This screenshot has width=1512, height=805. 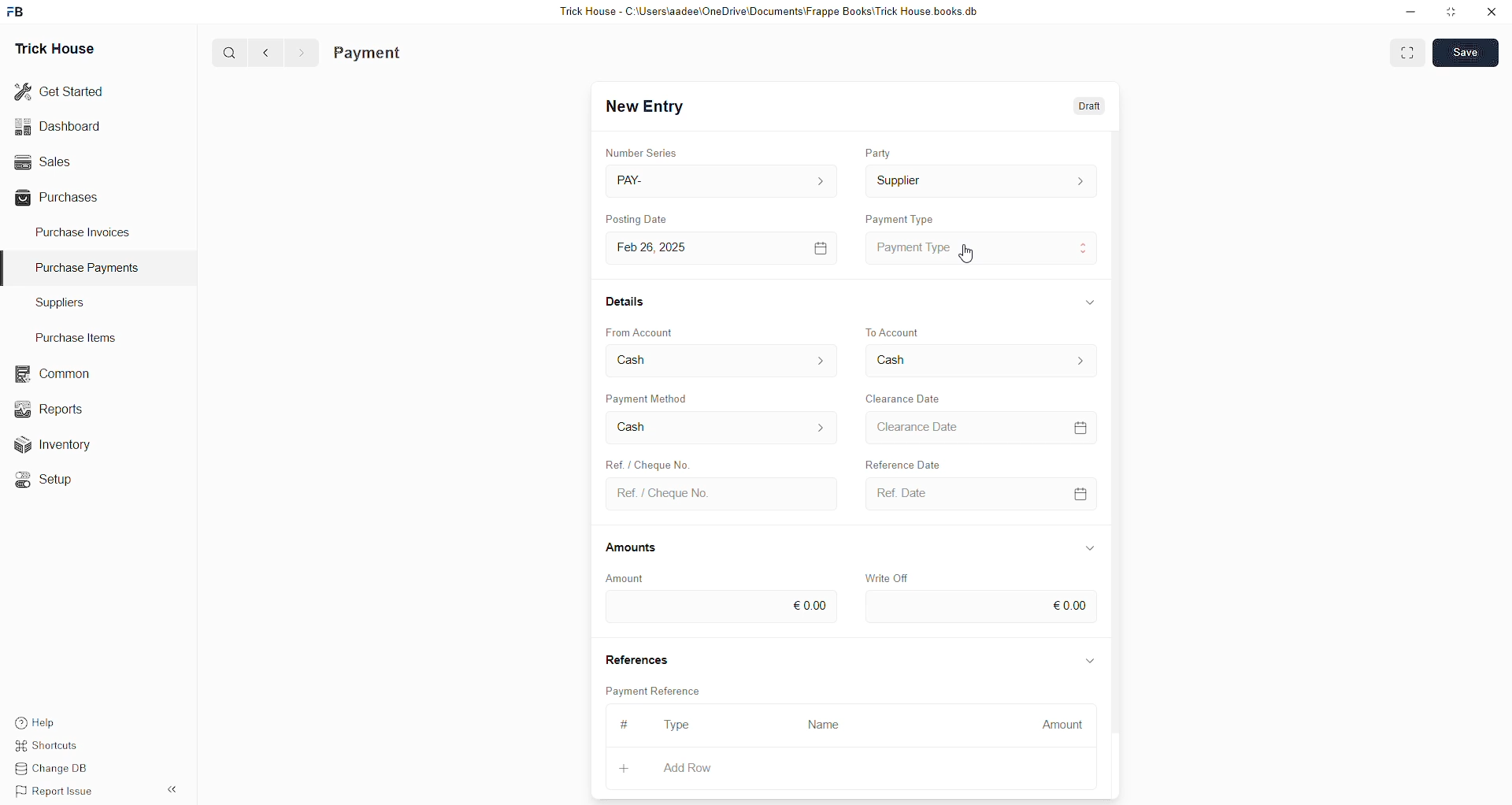 I want to click on Draft, so click(x=1085, y=109).